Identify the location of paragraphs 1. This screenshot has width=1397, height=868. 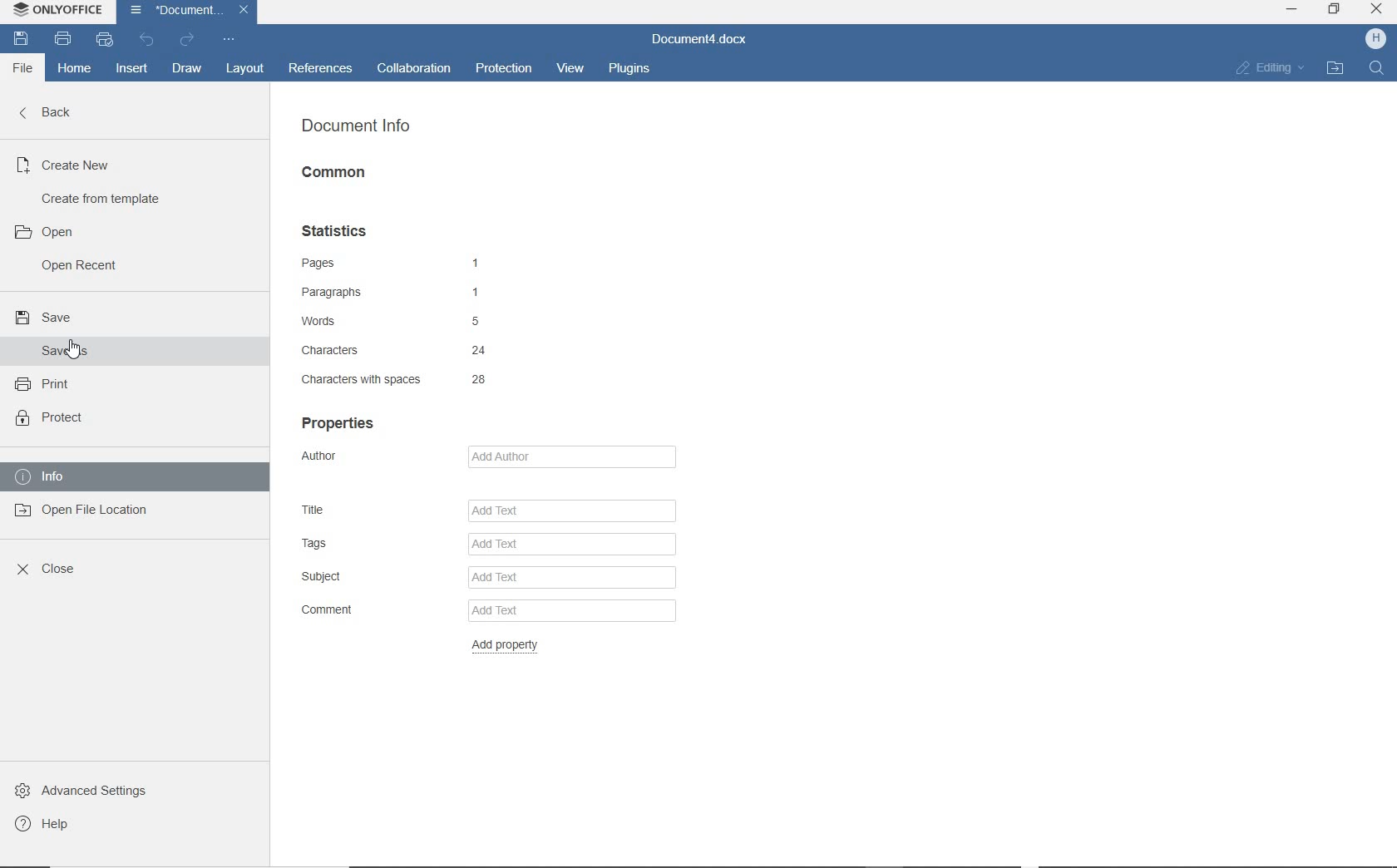
(397, 293).